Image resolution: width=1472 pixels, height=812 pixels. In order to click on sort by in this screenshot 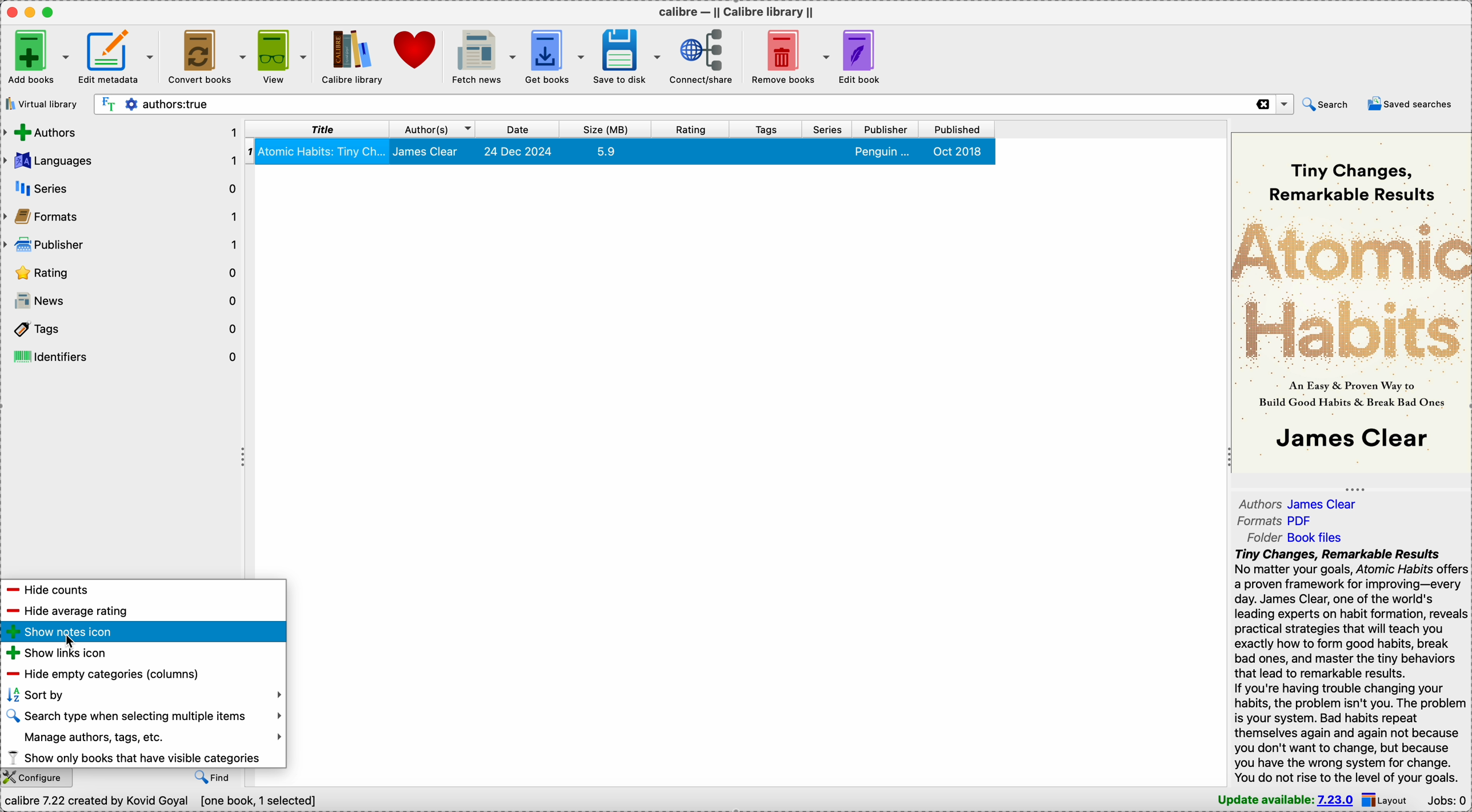, I will do `click(145, 696)`.